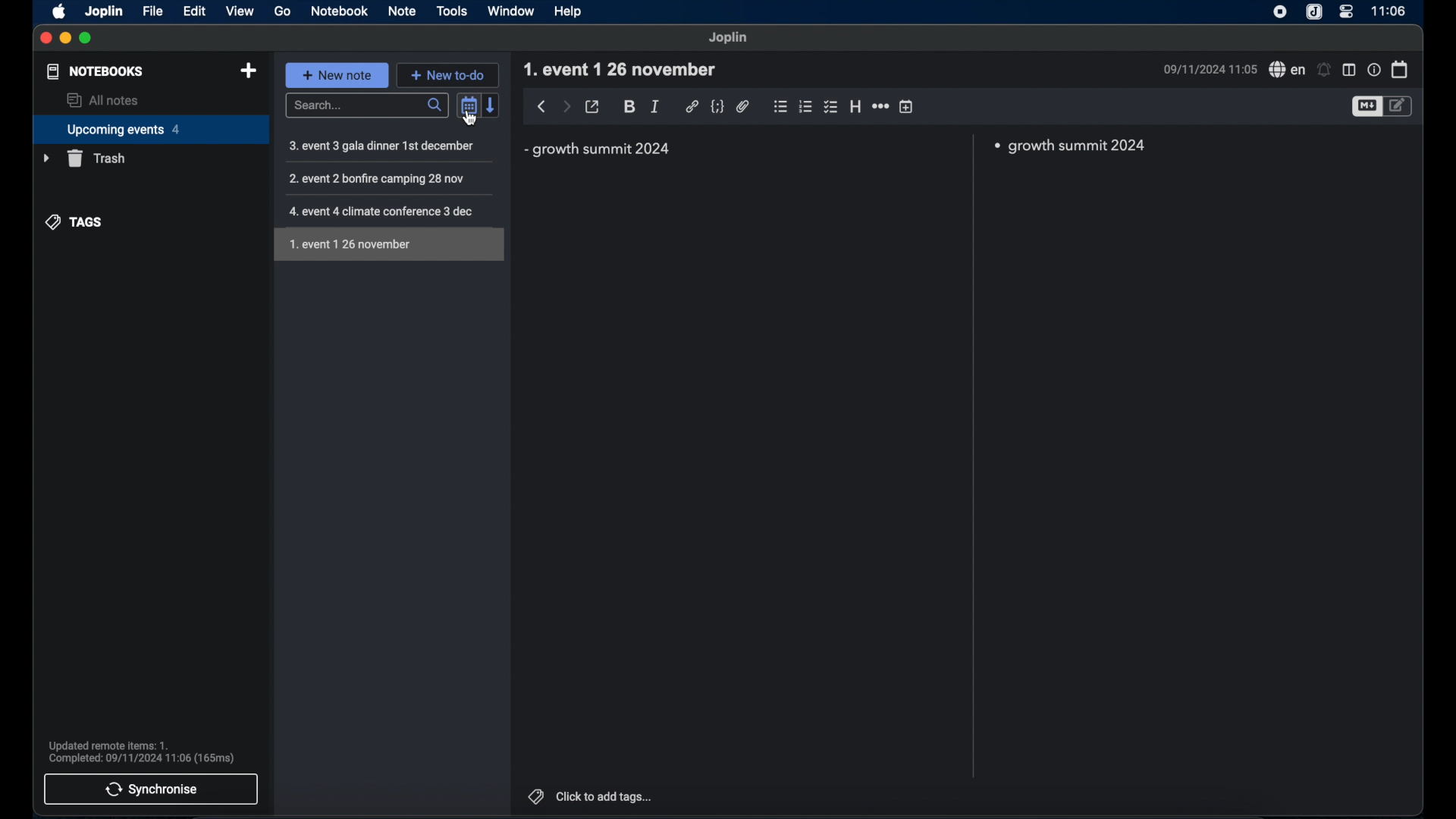 This screenshot has height=819, width=1456. Describe the element at coordinates (973, 457) in the screenshot. I see `Scroll bar` at that location.